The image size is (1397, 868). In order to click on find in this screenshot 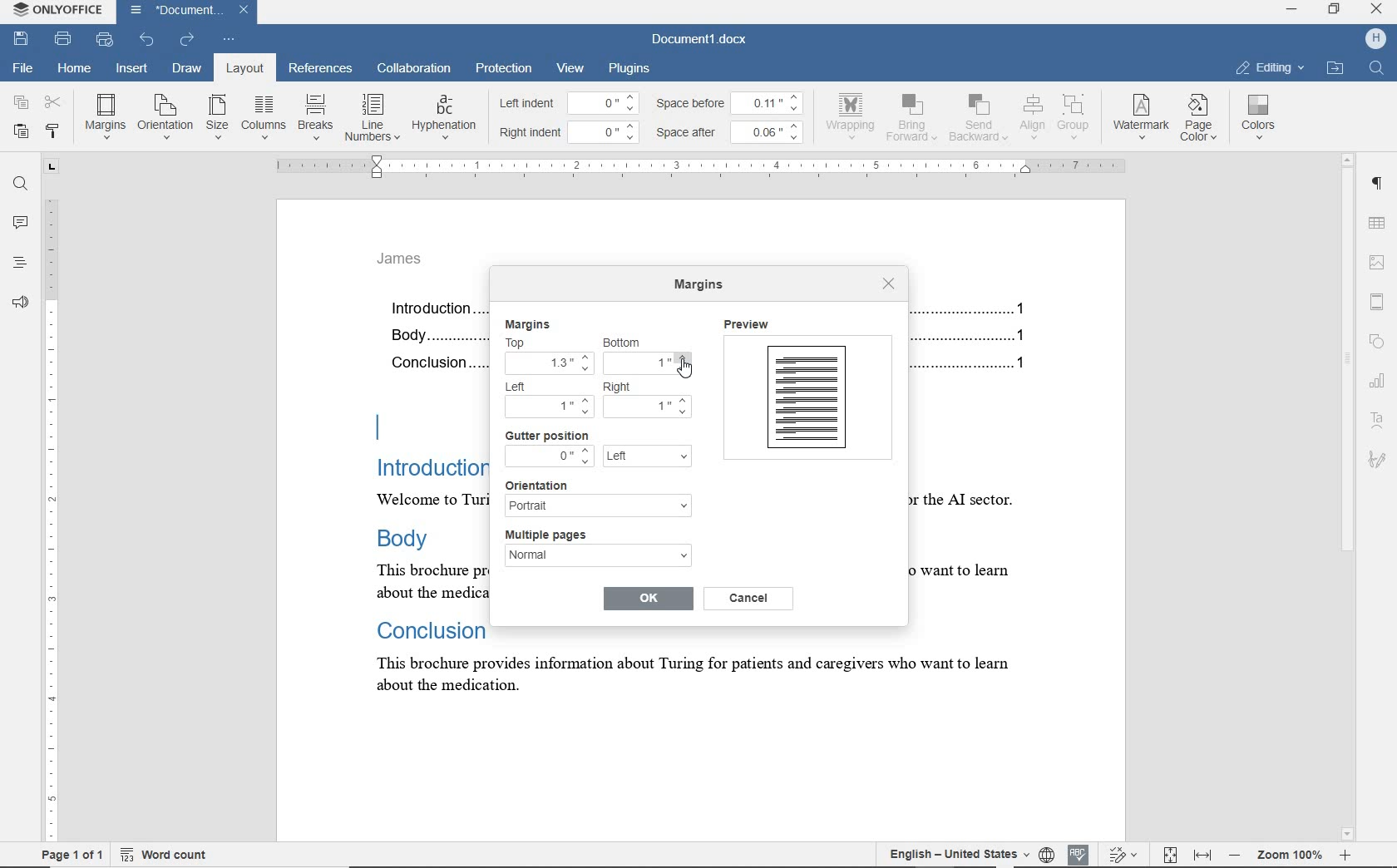, I will do `click(1375, 70)`.